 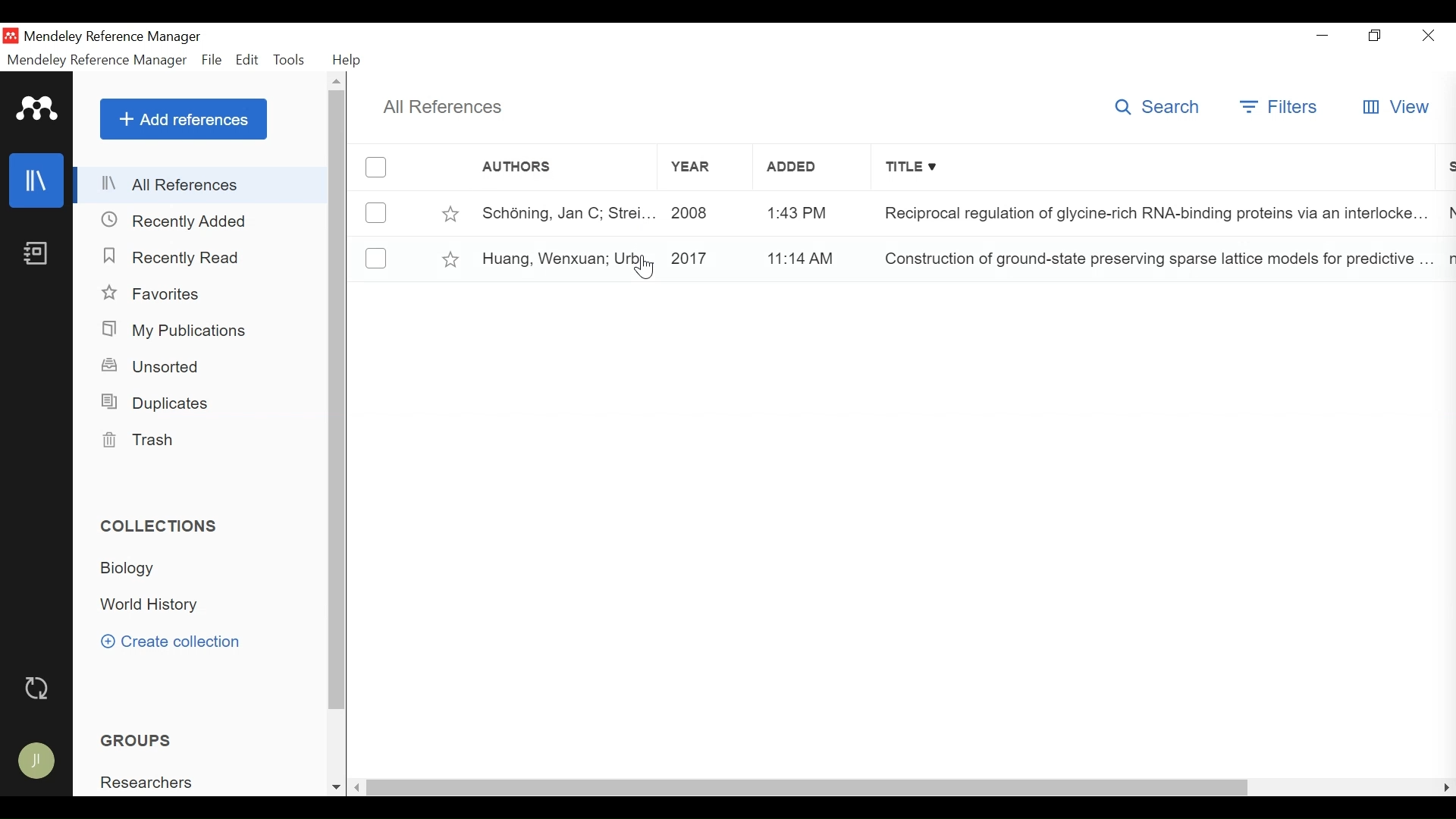 I want to click on Vertical Scroll bar, so click(x=338, y=400).